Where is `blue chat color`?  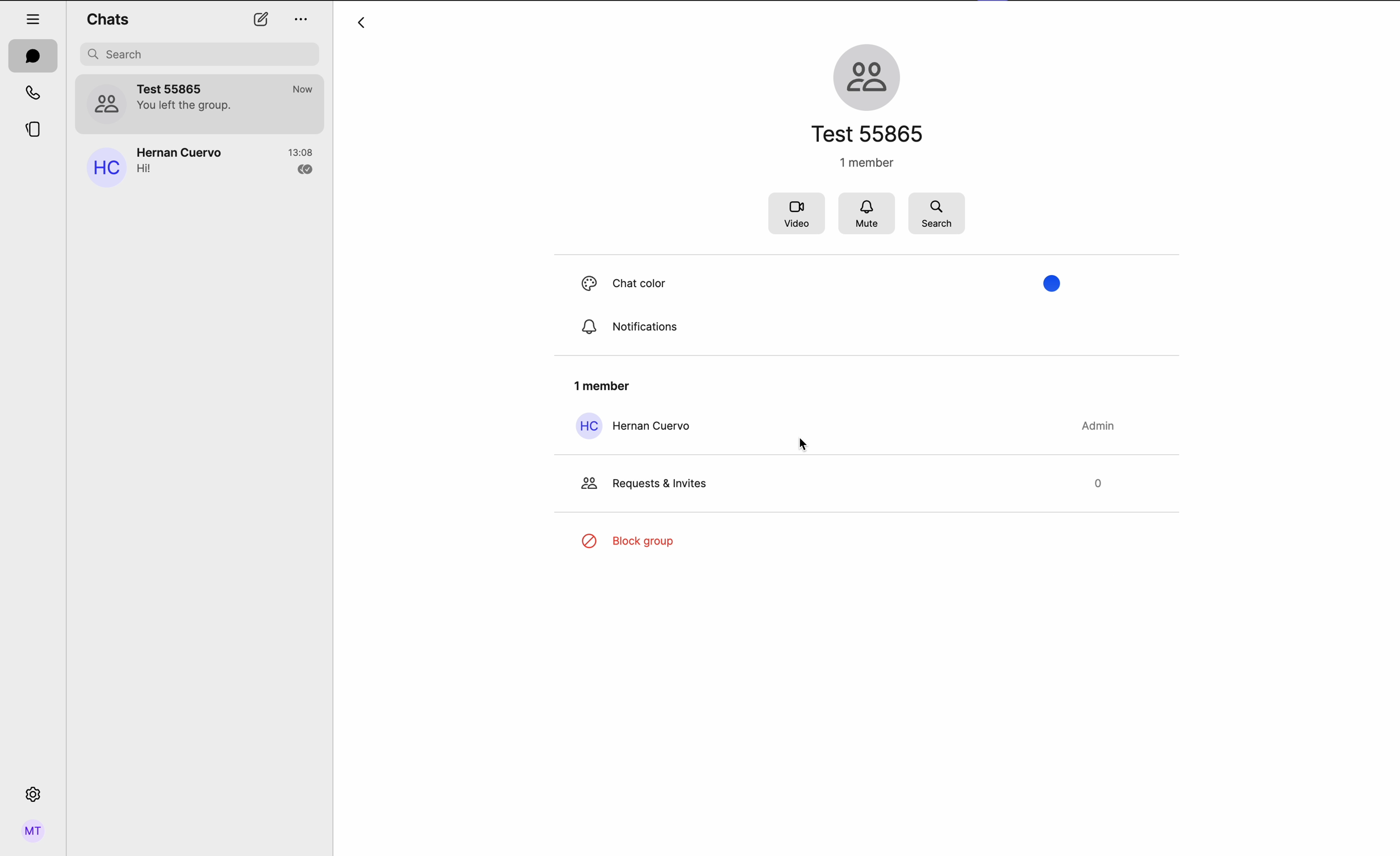 blue chat color is located at coordinates (674, 324).